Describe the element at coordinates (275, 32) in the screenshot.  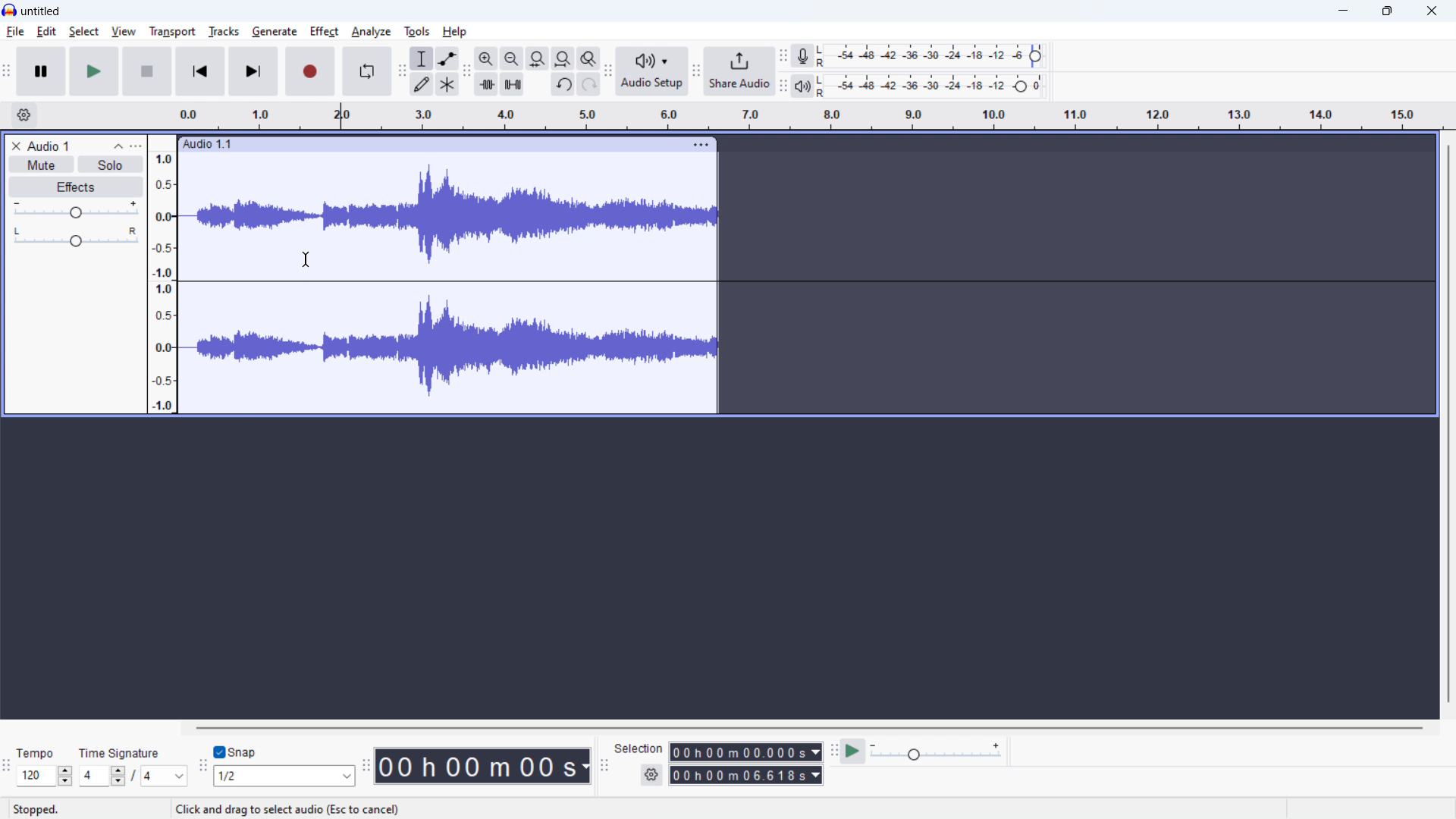
I see `generate` at that location.